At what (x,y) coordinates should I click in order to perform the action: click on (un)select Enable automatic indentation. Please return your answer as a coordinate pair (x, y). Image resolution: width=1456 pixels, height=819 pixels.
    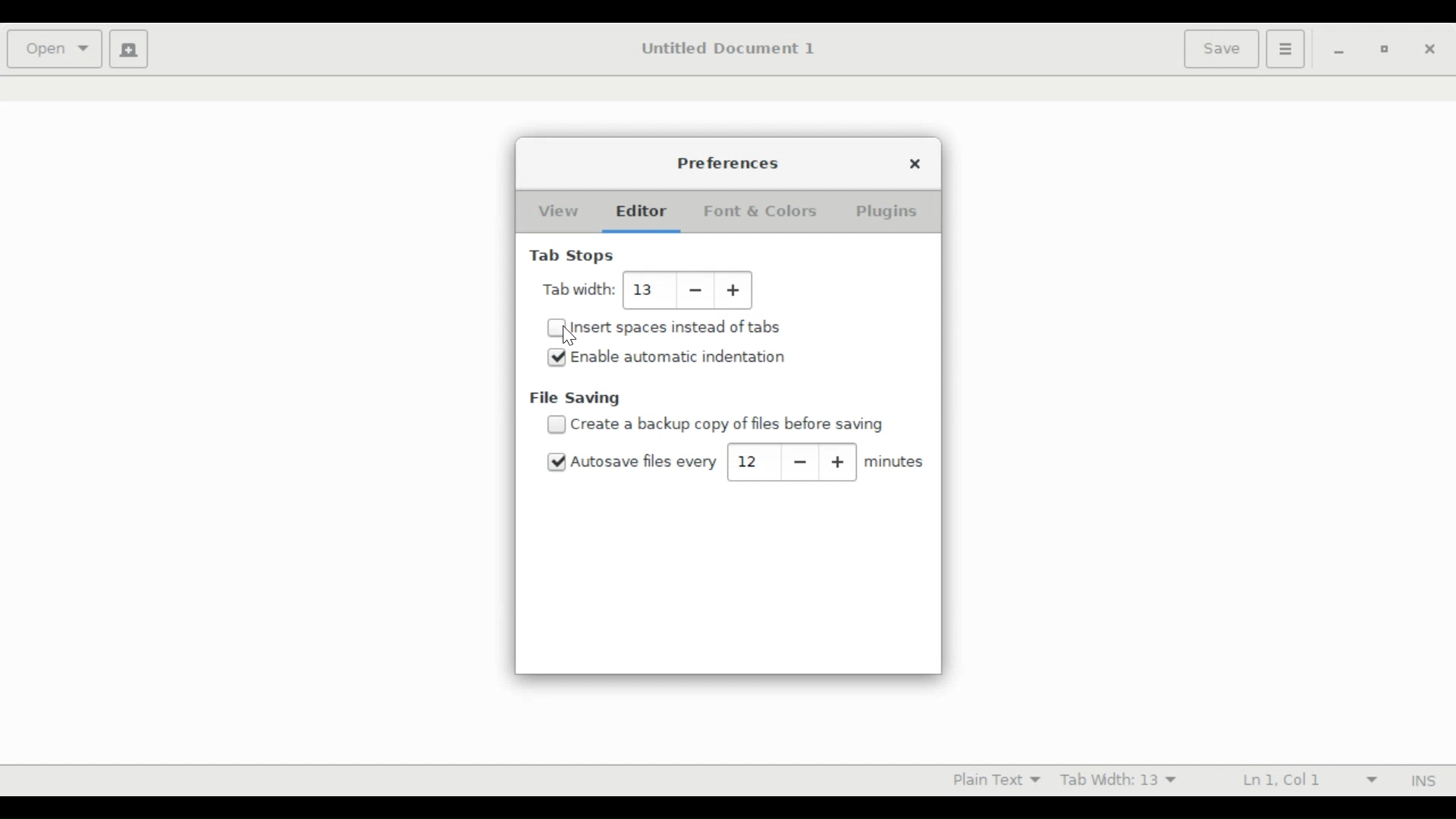
    Looking at the image, I should click on (679, 356).